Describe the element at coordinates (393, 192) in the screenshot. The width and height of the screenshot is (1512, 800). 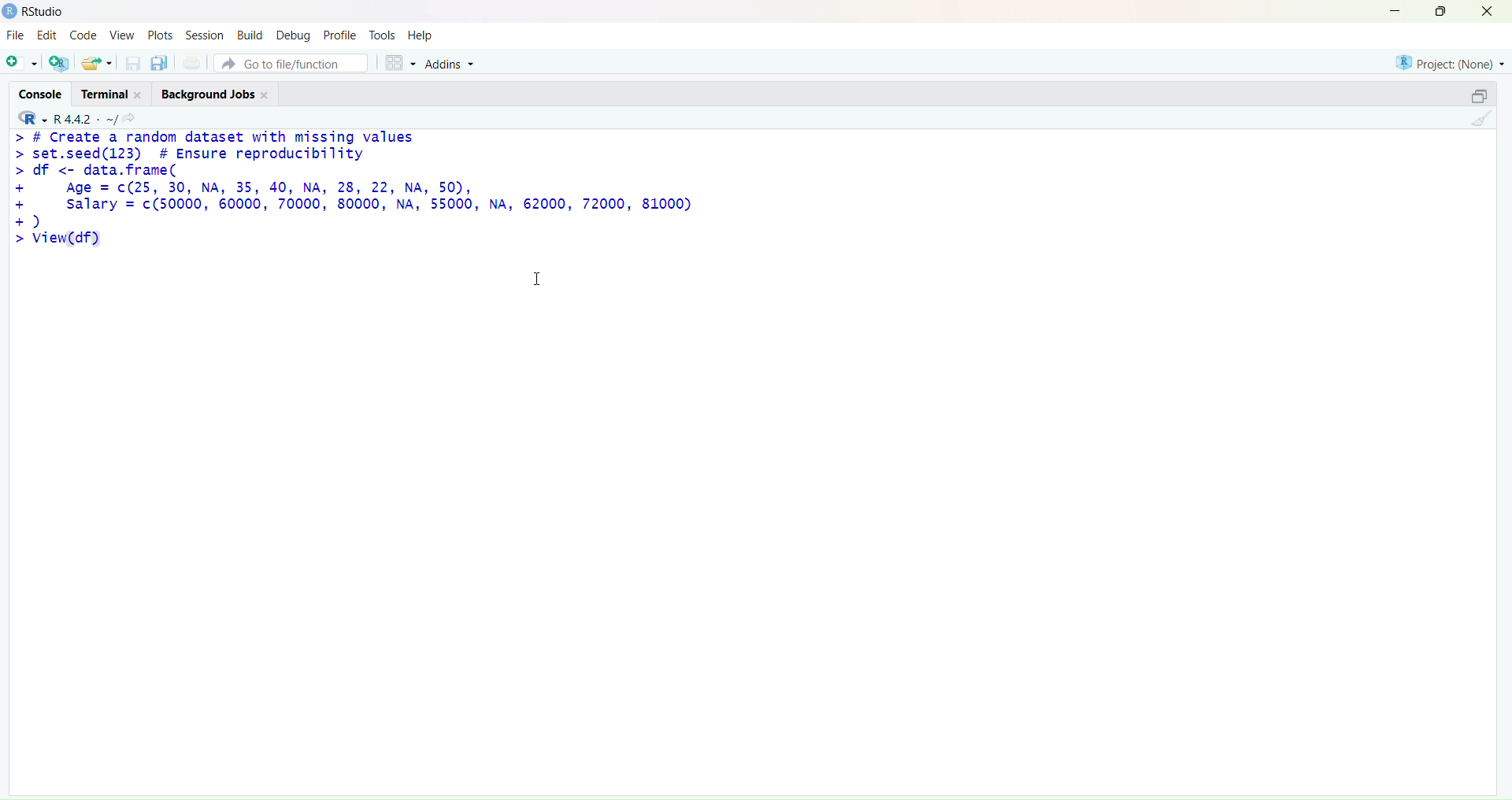
I see `> # Create a random dataset with missing values> set.seed(123) # Ensure reproducibility> df <- data.frame(+ Age = c(25, 30, NA, 35, 40, NA, 28, 22, NA, 50),+ salary = c(50000, 60000, 70000, 80000, NA, 55000, NA, 62000, 72000, 81000)+)> view(df)` at that location.